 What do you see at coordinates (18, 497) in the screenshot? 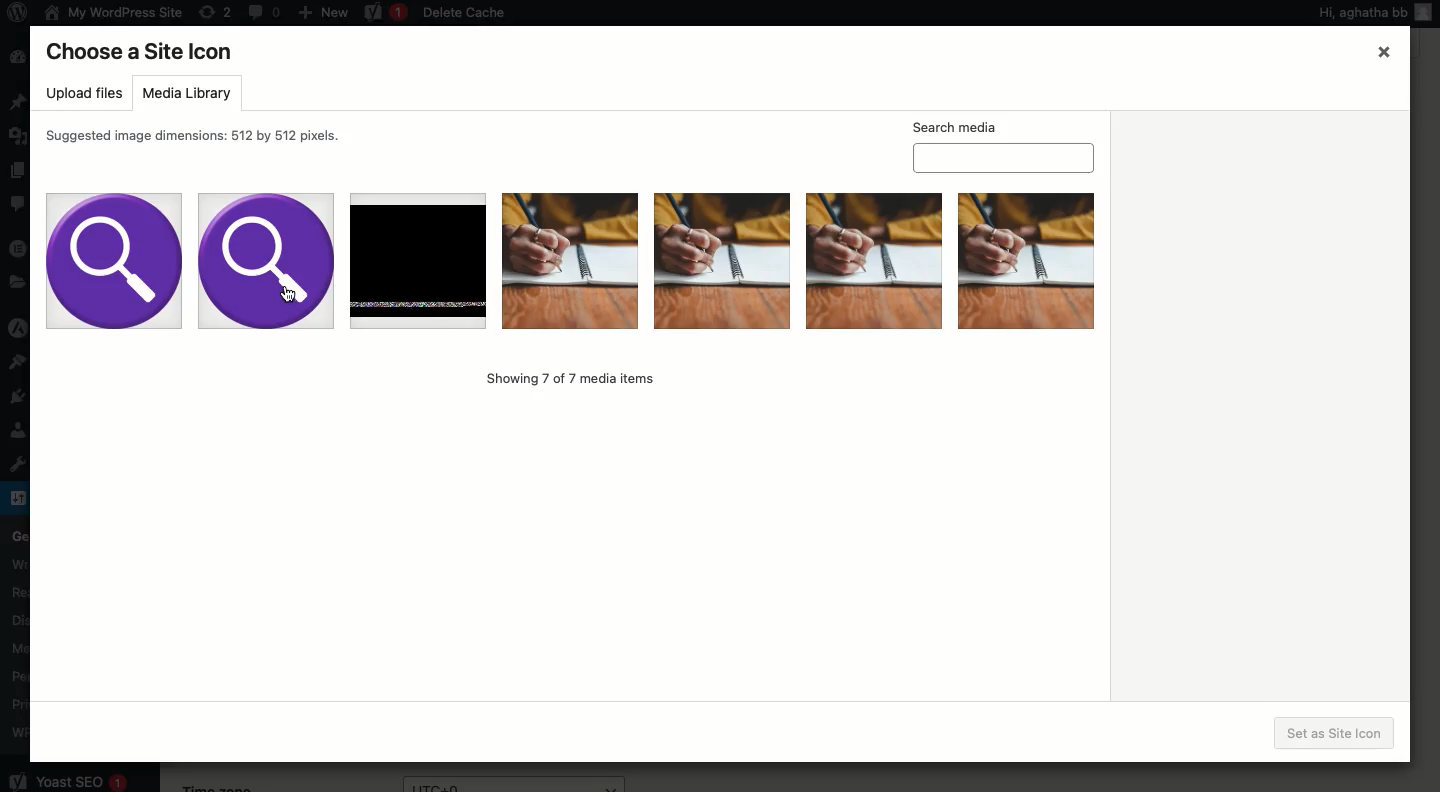
I see `Settings` at bounding box center [18, 497].